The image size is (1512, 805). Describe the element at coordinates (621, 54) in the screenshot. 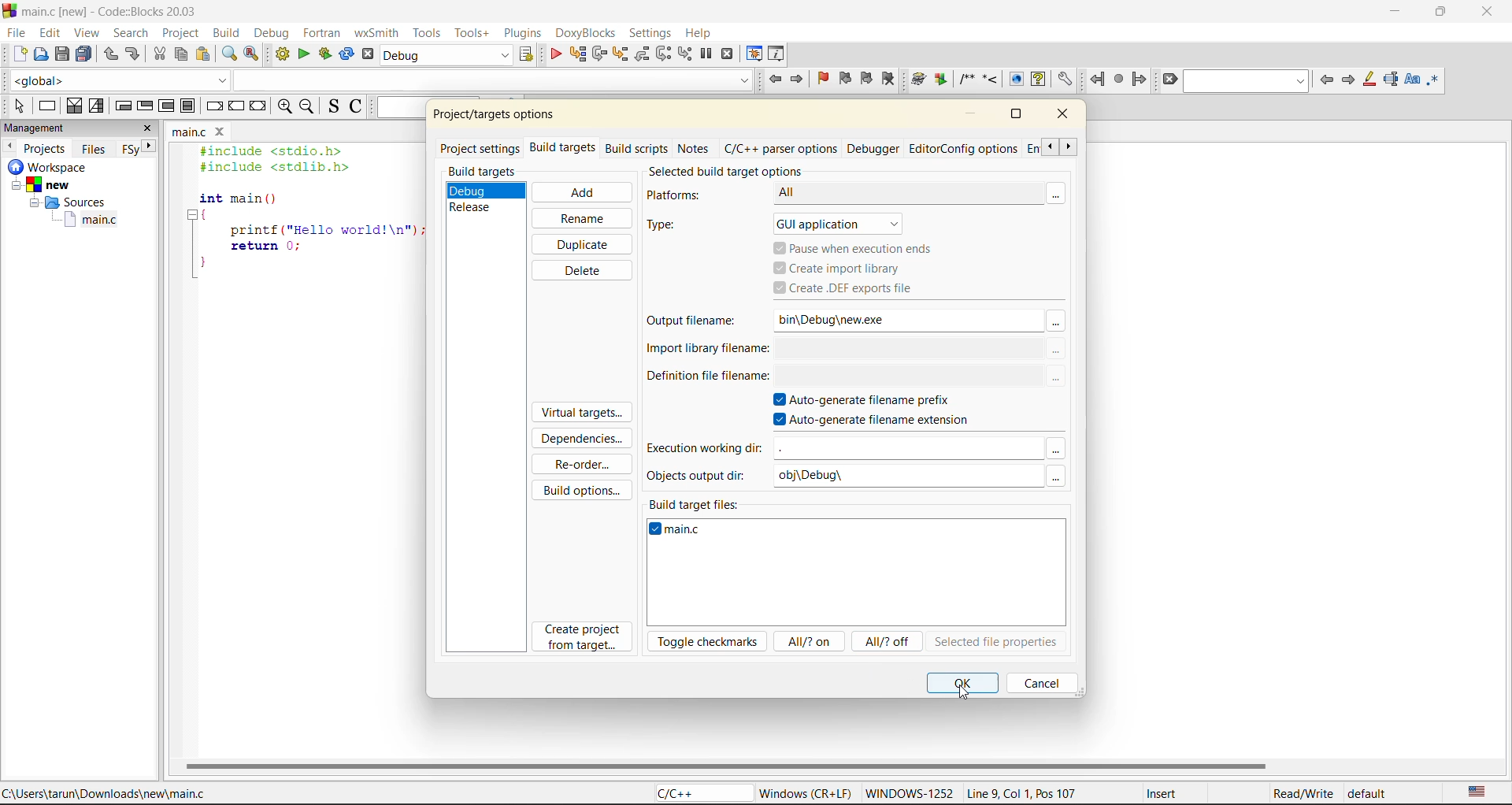

I see `step into` at that location.